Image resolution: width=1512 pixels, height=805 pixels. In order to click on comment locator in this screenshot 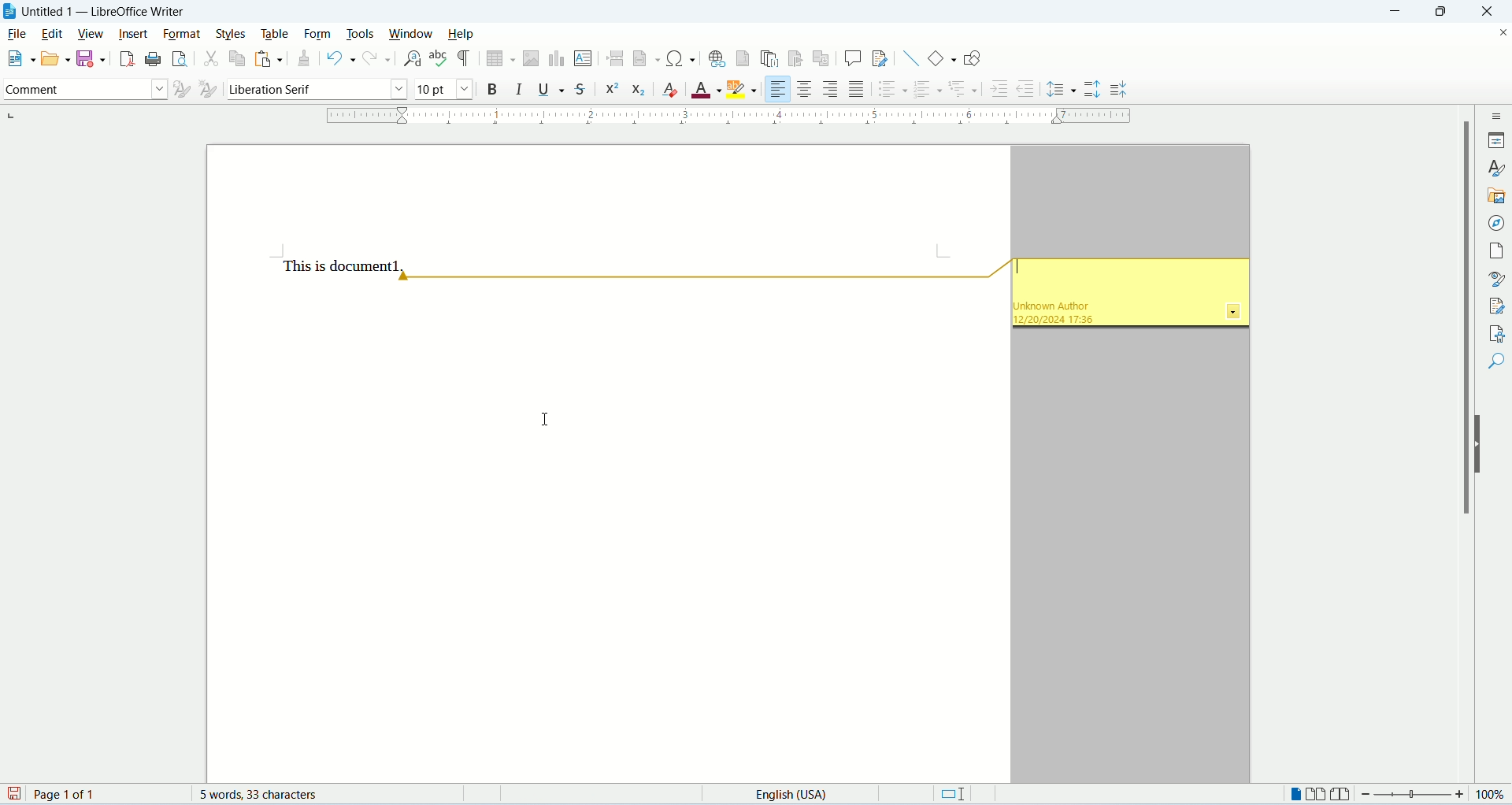, I will do `click(701, 279)`.